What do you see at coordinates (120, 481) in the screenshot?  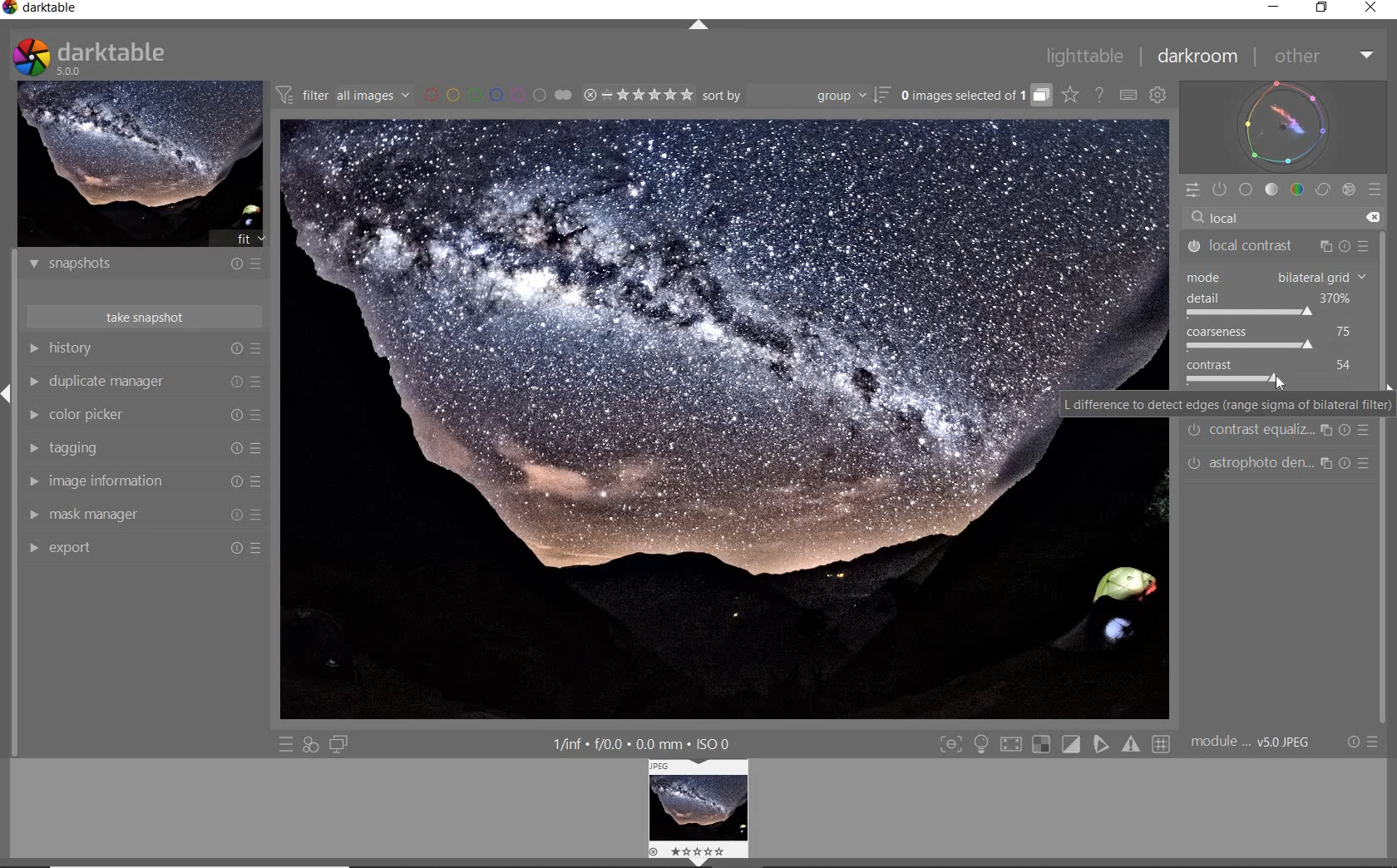 I see `image information` at bounding box center [120, 481].